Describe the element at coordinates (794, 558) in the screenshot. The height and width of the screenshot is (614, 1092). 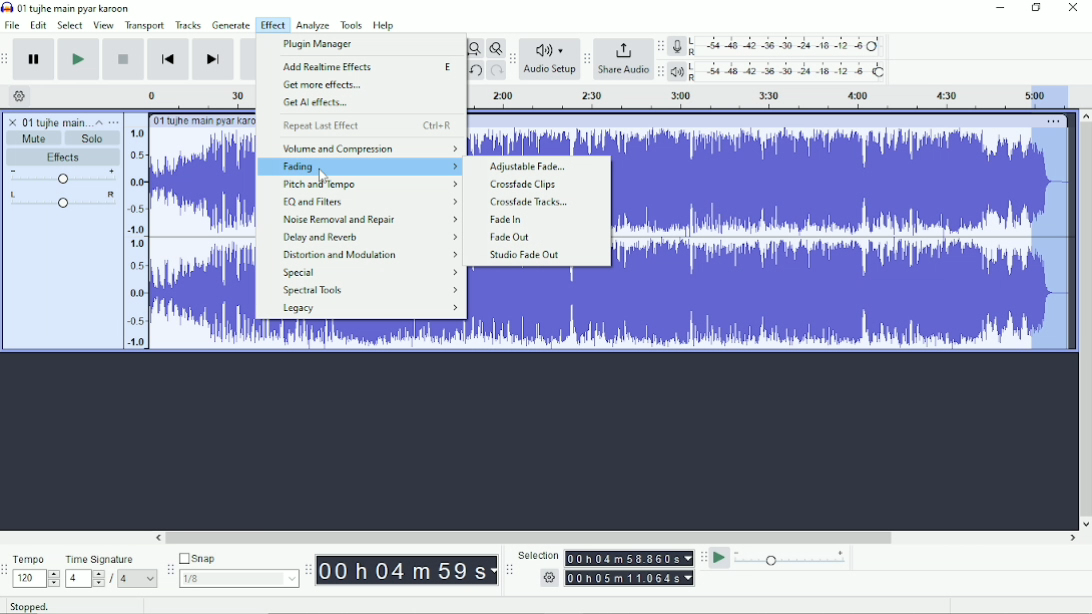
I see `Playback speed` at that location.